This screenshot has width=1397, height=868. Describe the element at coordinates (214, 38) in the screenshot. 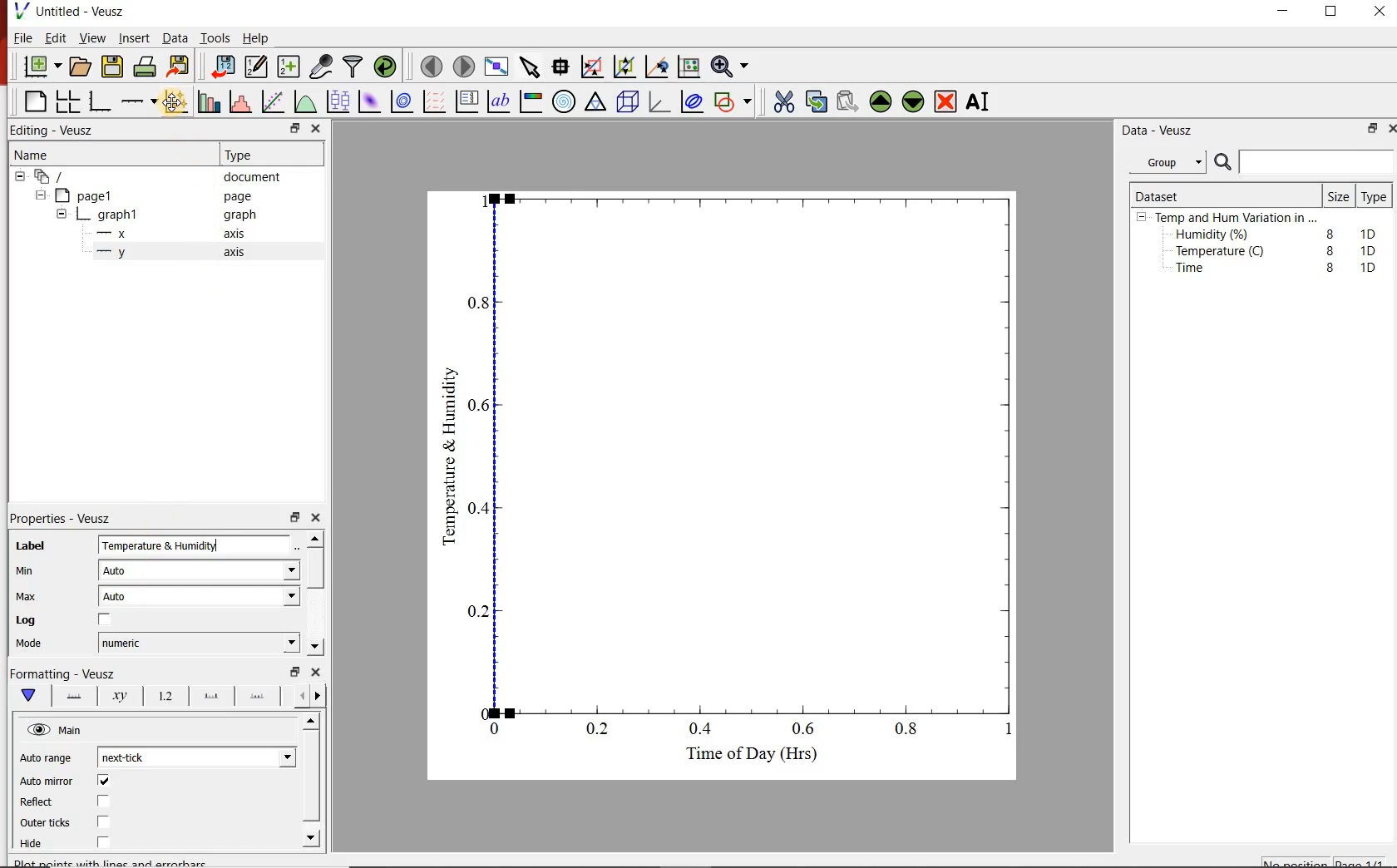

I see `Tools` at that location.